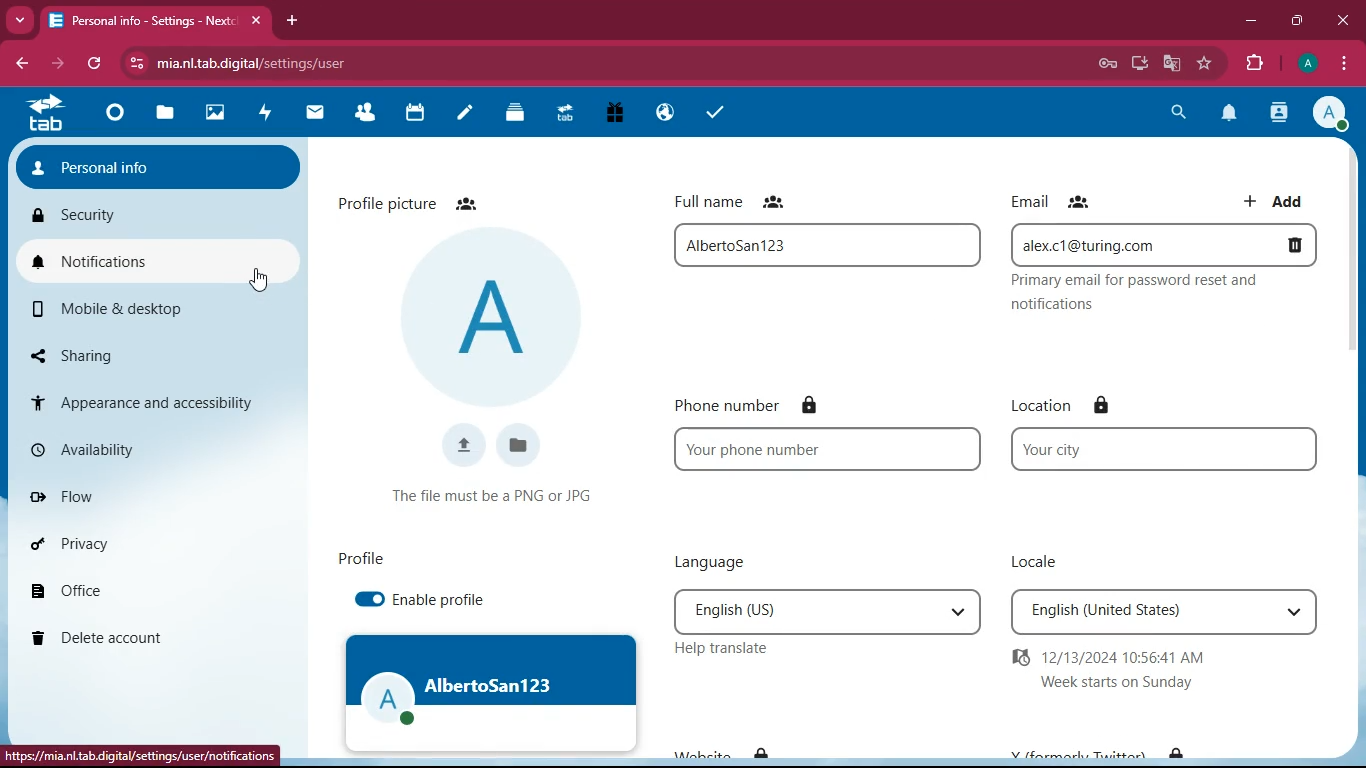  What do you see at coordinates (614, 114) in the screenshot?
I see `Free Trail PC` at bounding box center [614, 114].